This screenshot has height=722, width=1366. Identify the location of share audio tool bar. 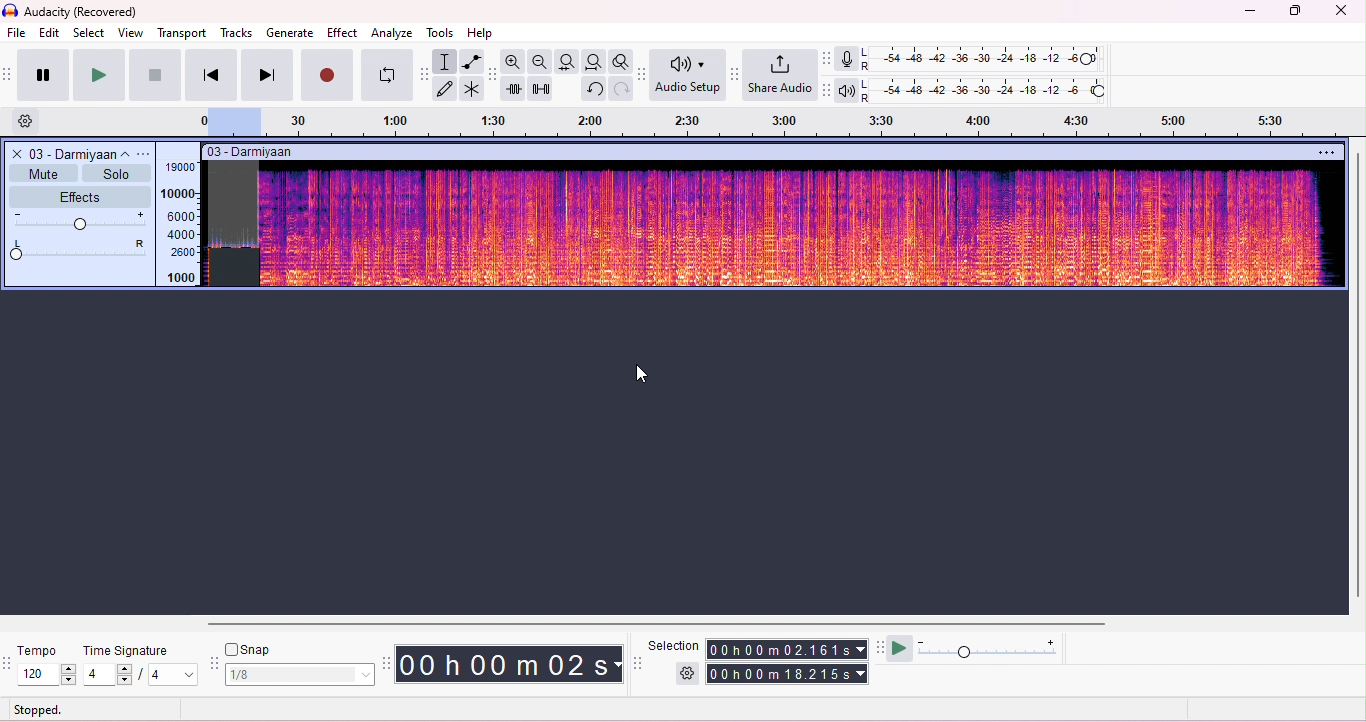
(736, 74).